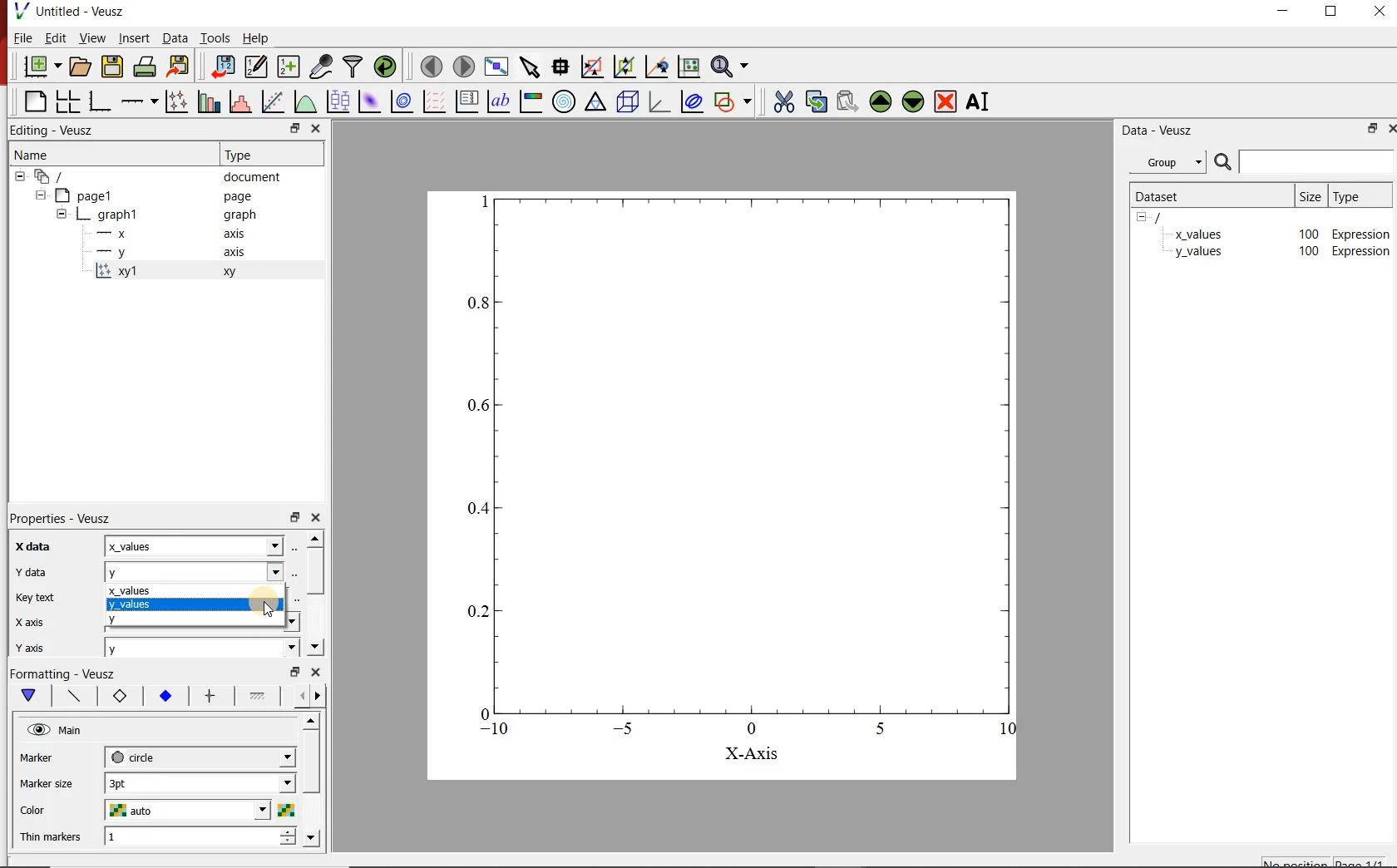 The image size is (1397, 868). Describe the element at coordinates (20, 176) in the screenshot. I see `hide` at that location.